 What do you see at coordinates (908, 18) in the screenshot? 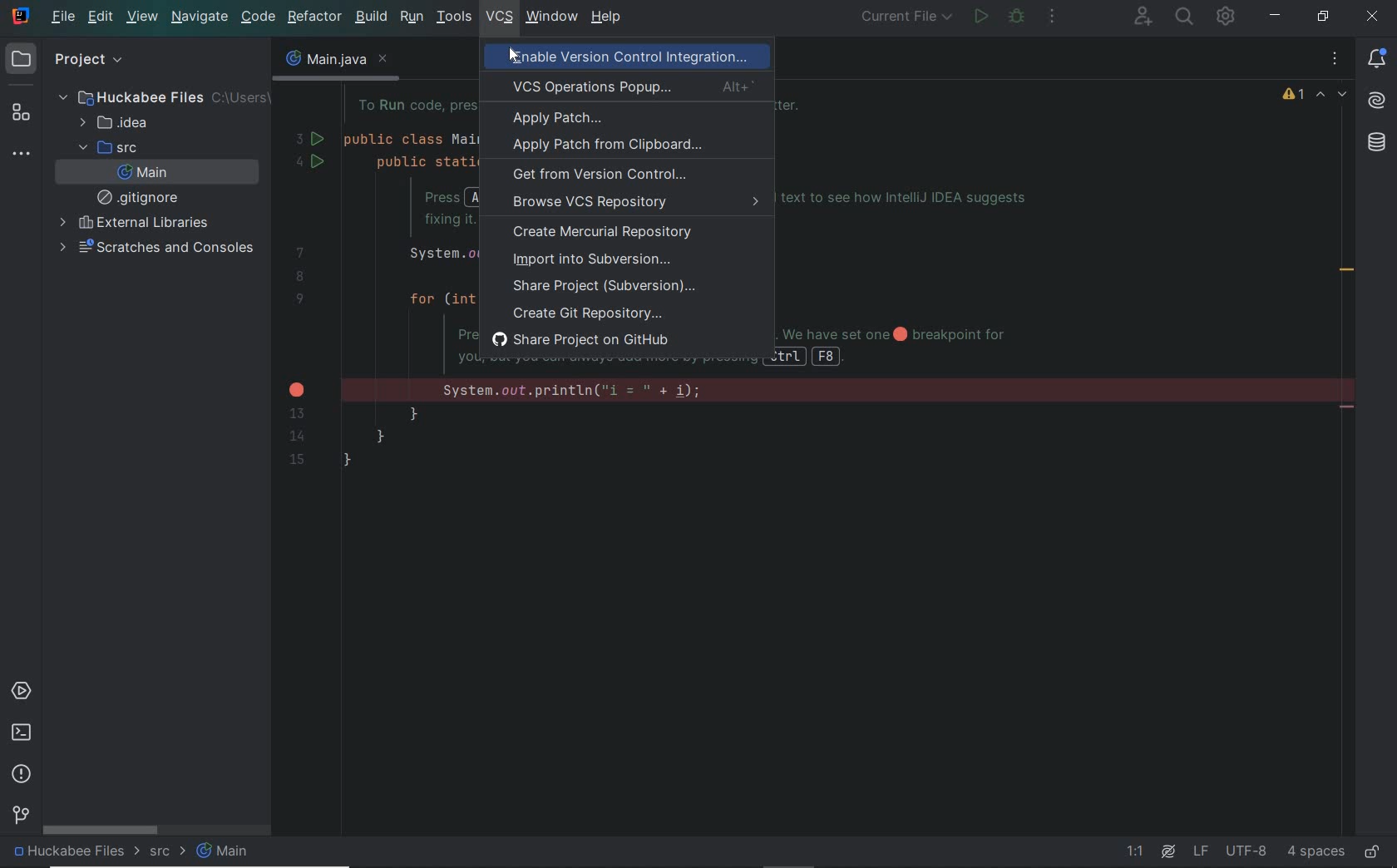
I see `run/debug configurations: current file` at bounding box center [908, 18].